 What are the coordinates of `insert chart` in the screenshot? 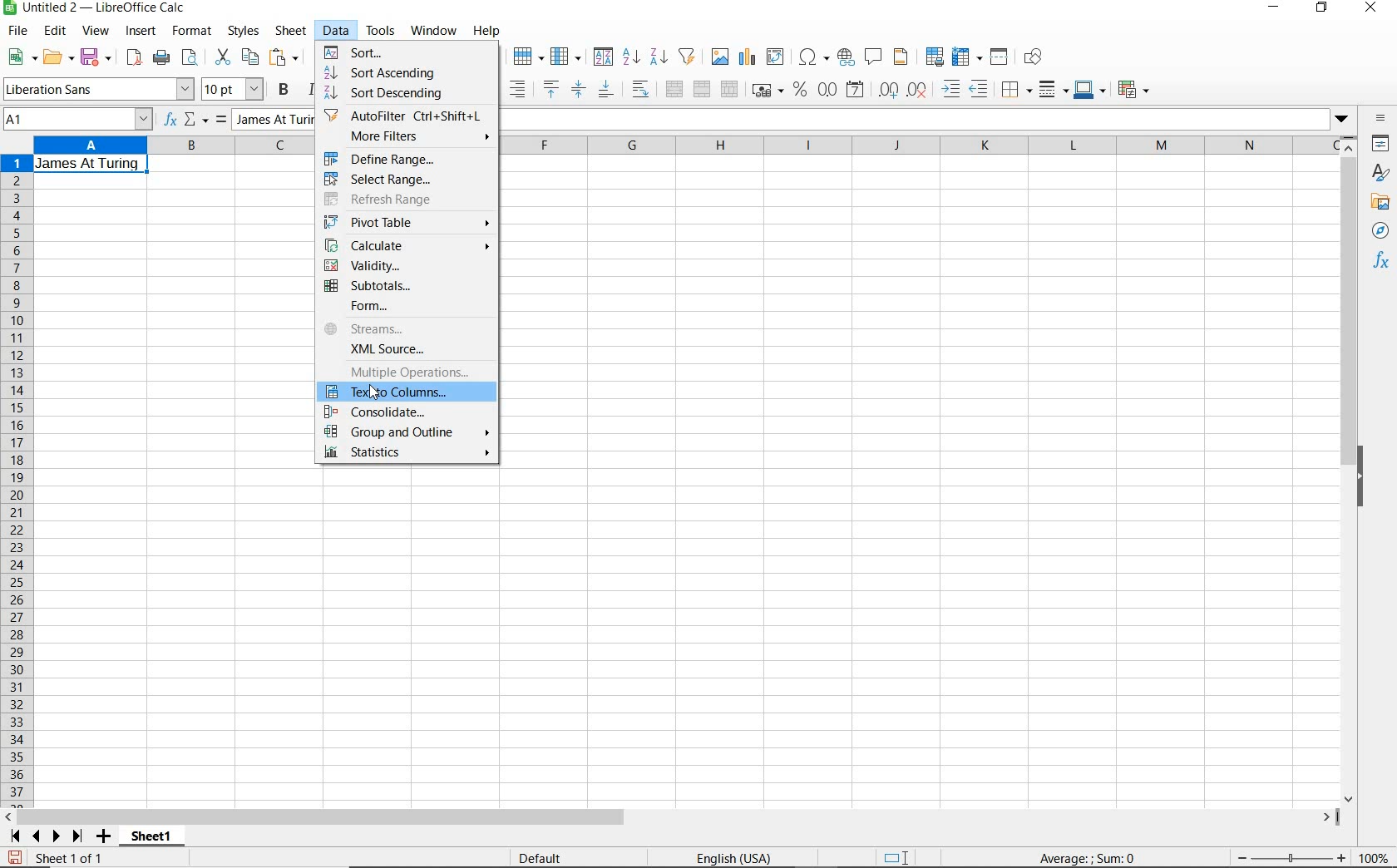 It's located at (748, 57).